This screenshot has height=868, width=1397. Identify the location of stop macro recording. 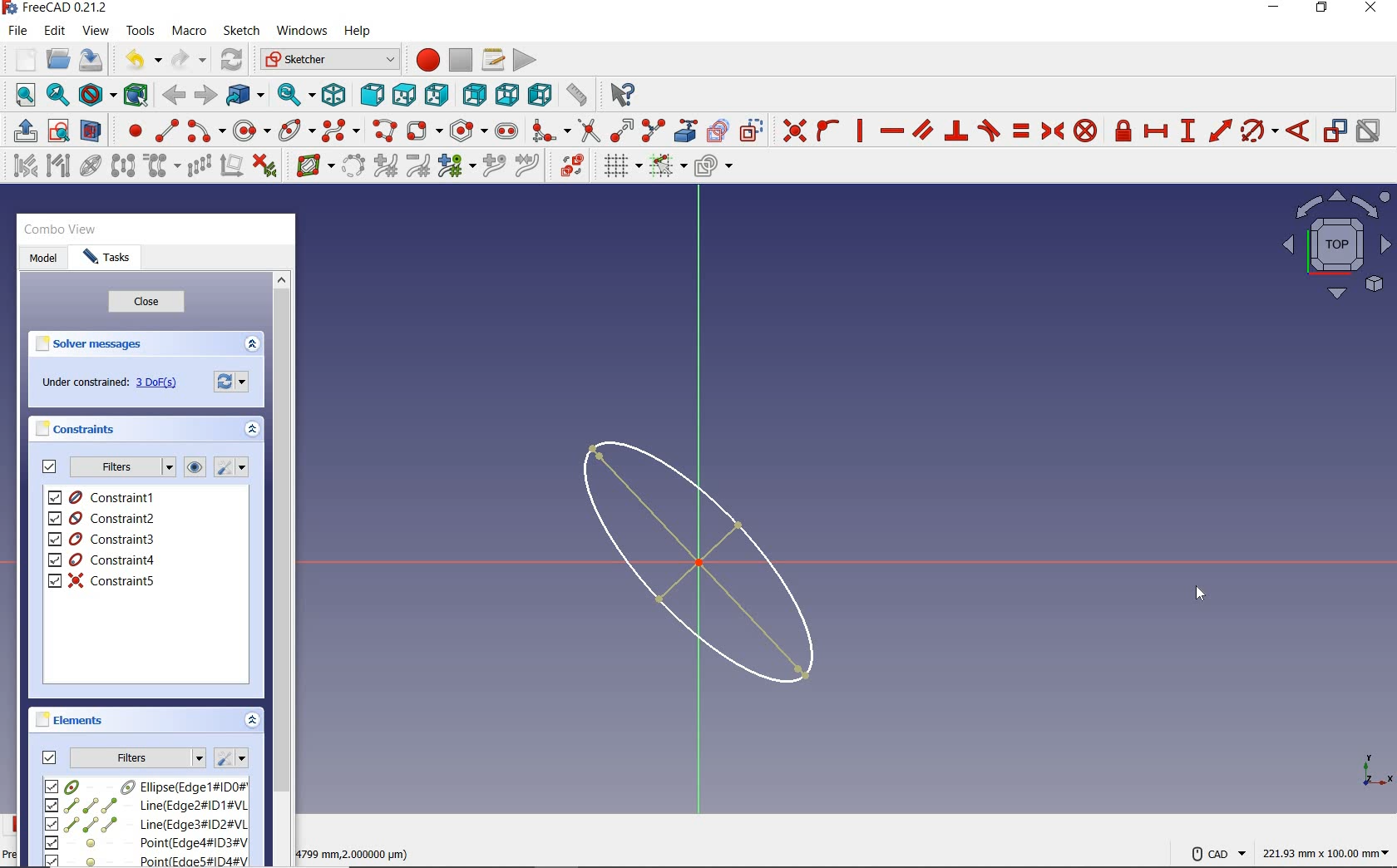
(462, 59).